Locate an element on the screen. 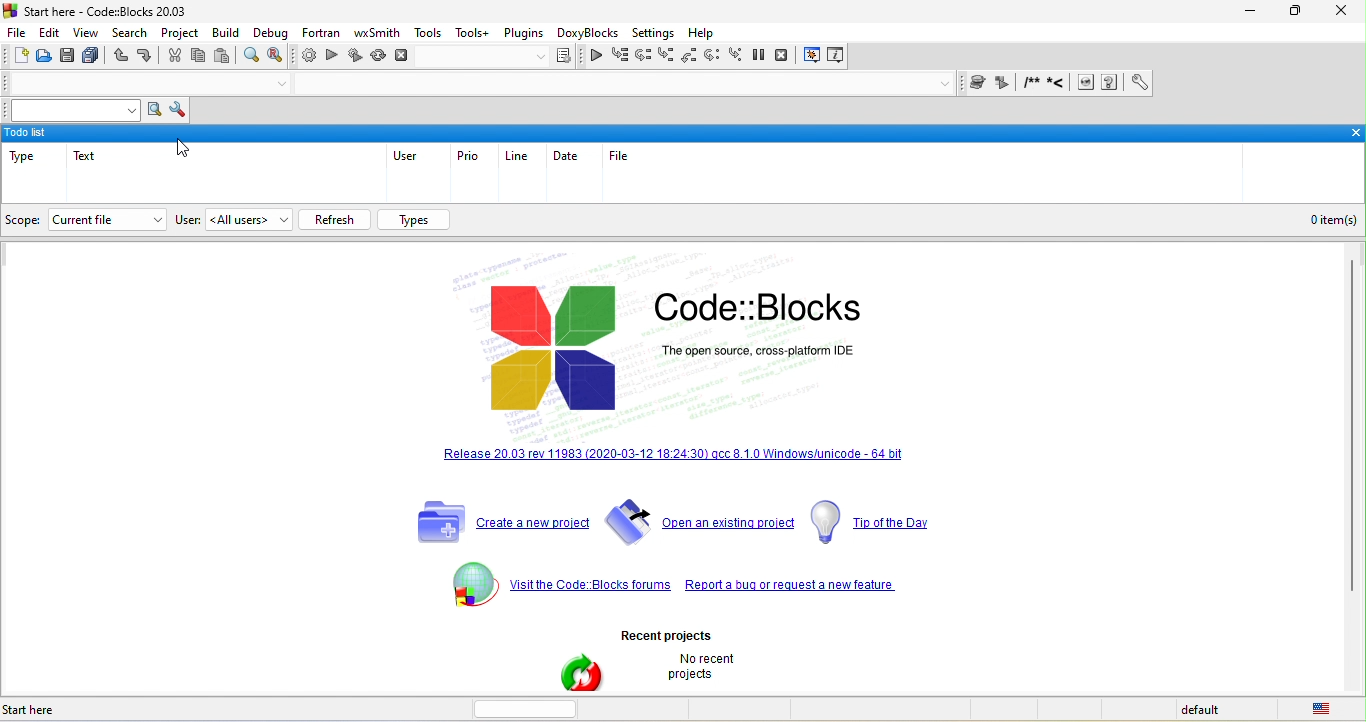 The image size is (1366, 722). paste is located at coordinates (223, 57).